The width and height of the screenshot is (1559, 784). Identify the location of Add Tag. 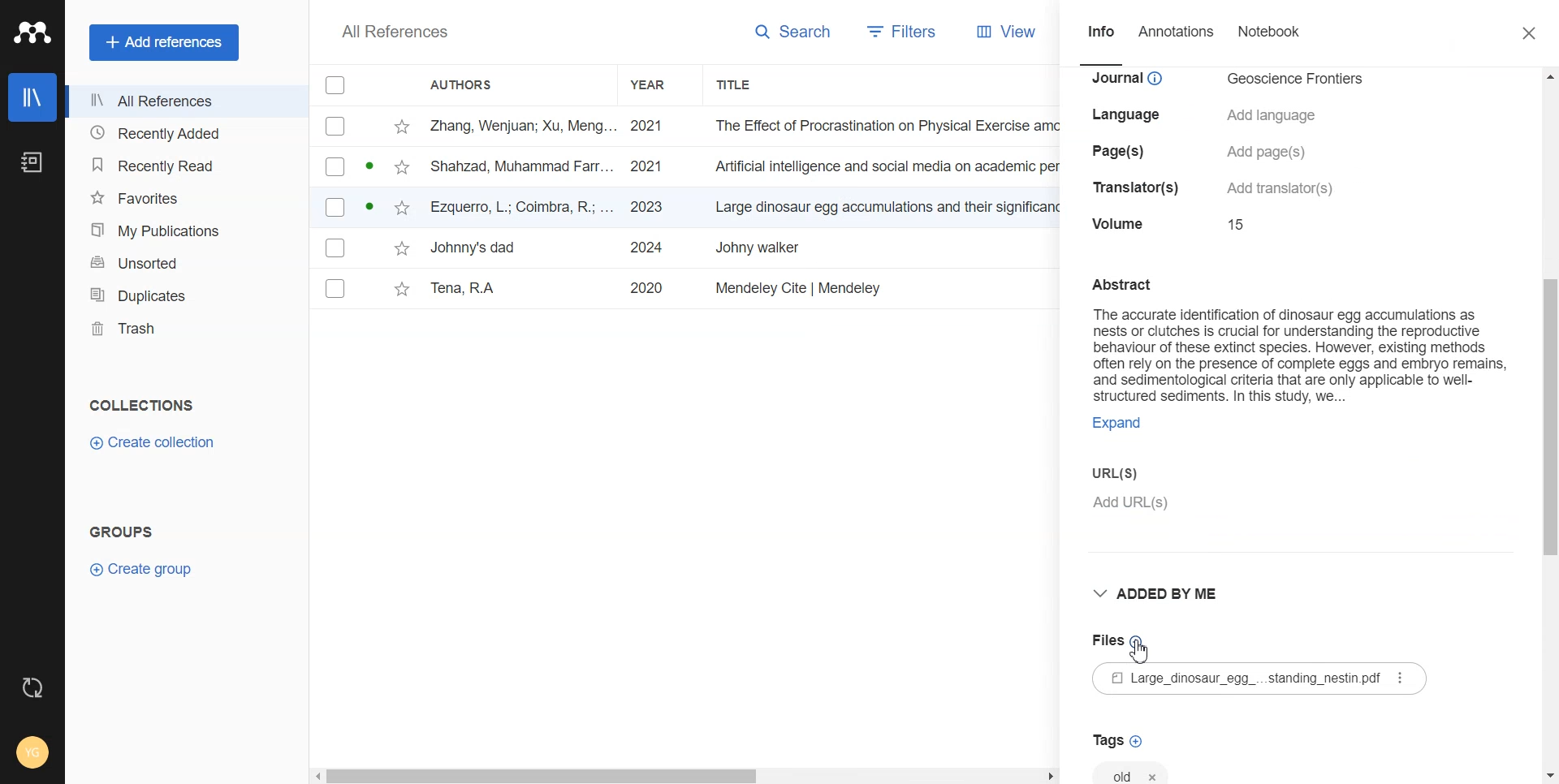
(1116, 741).